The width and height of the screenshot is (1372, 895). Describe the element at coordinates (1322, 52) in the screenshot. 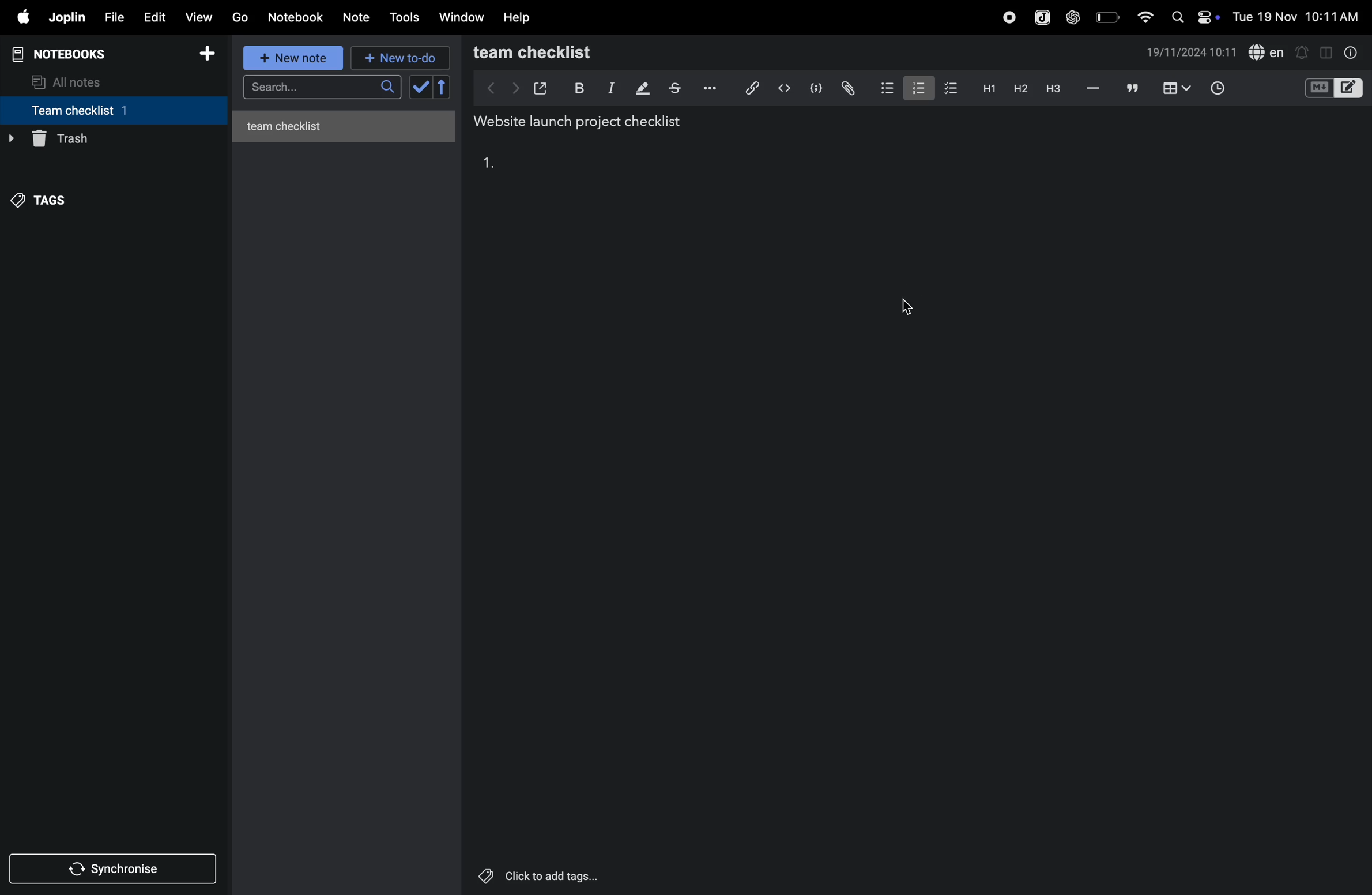

I see `toggle editor` at that location.